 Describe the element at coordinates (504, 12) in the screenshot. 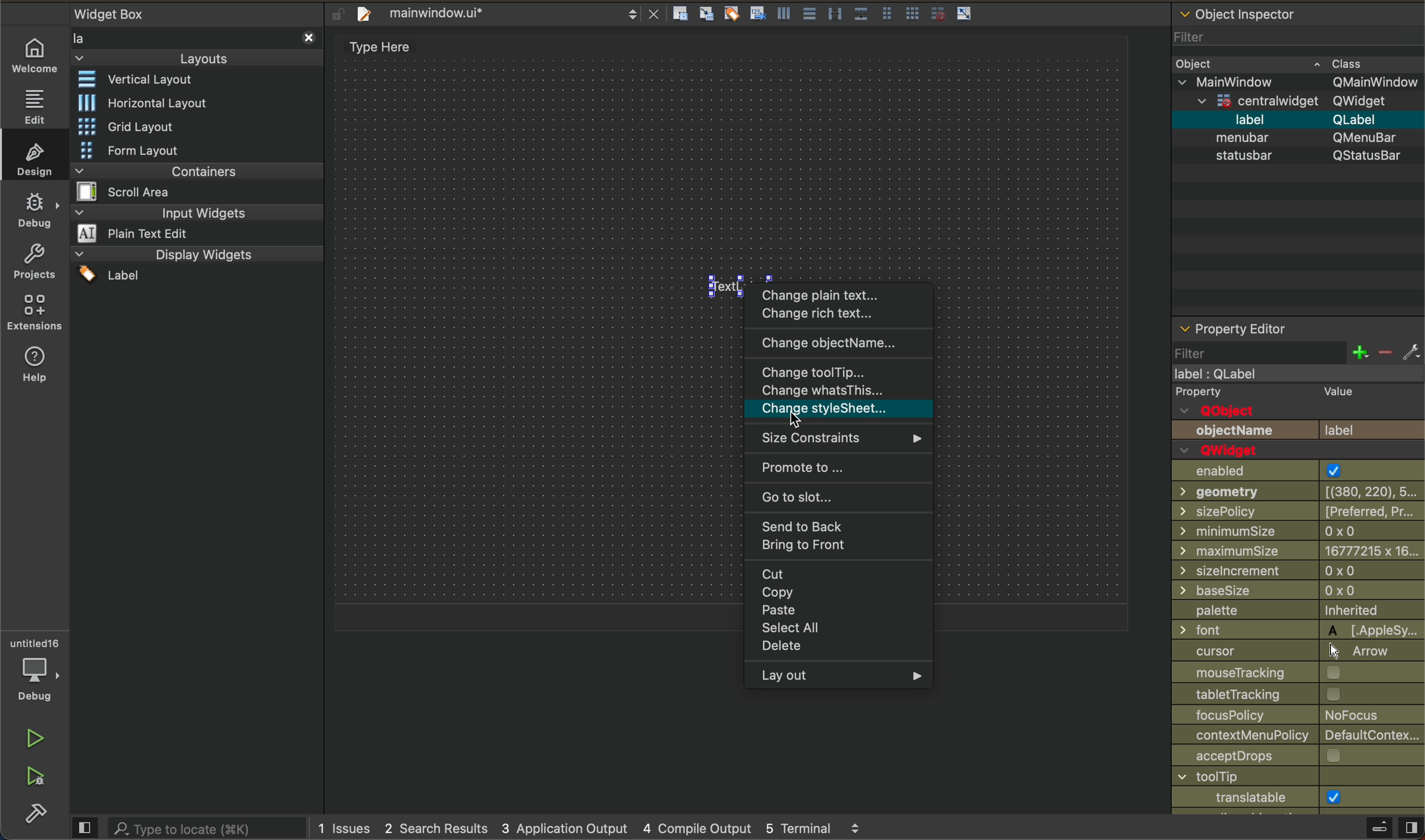

I see `file` at that location.